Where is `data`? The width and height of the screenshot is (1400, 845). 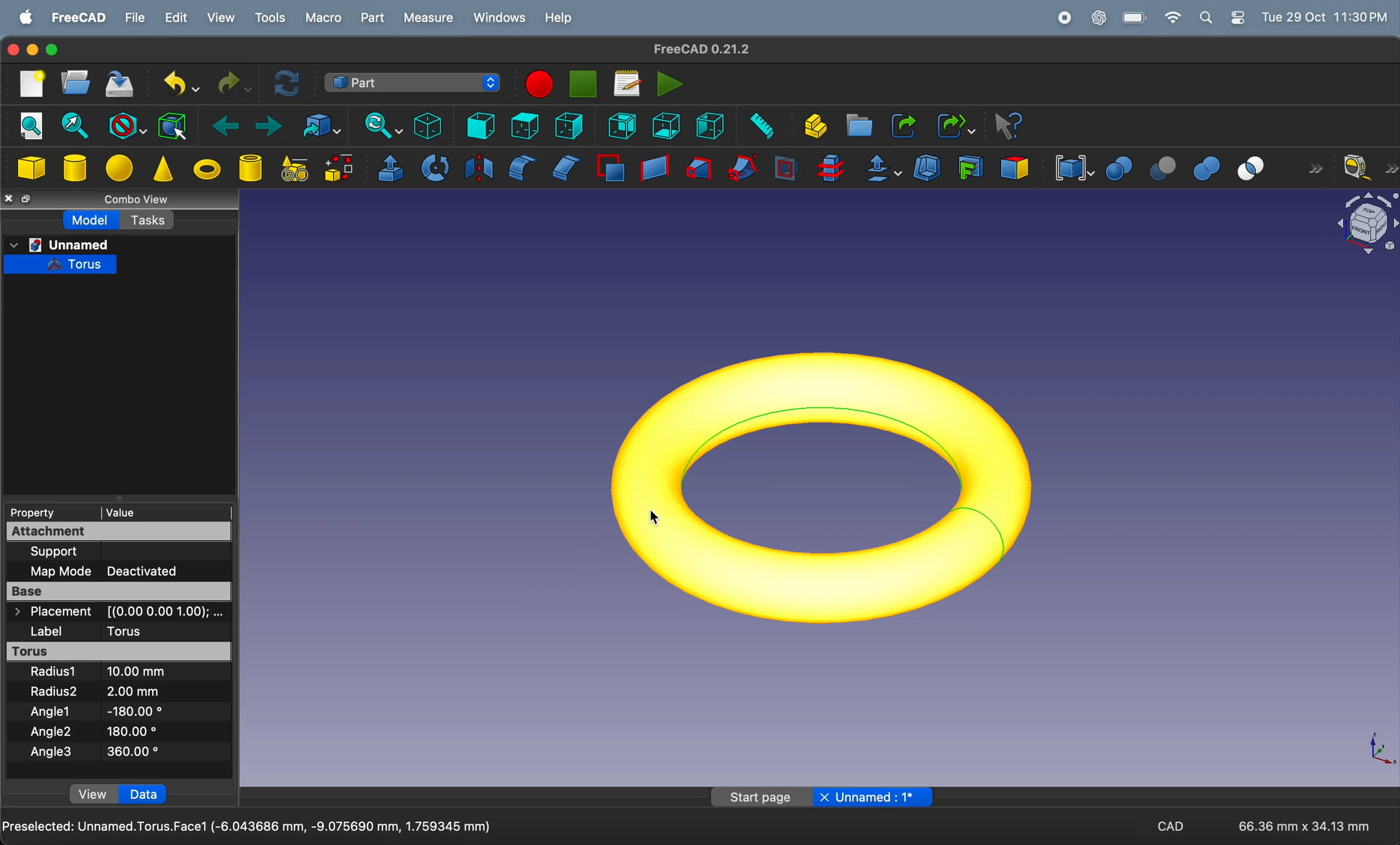 data is located at coordinates (144, 793).